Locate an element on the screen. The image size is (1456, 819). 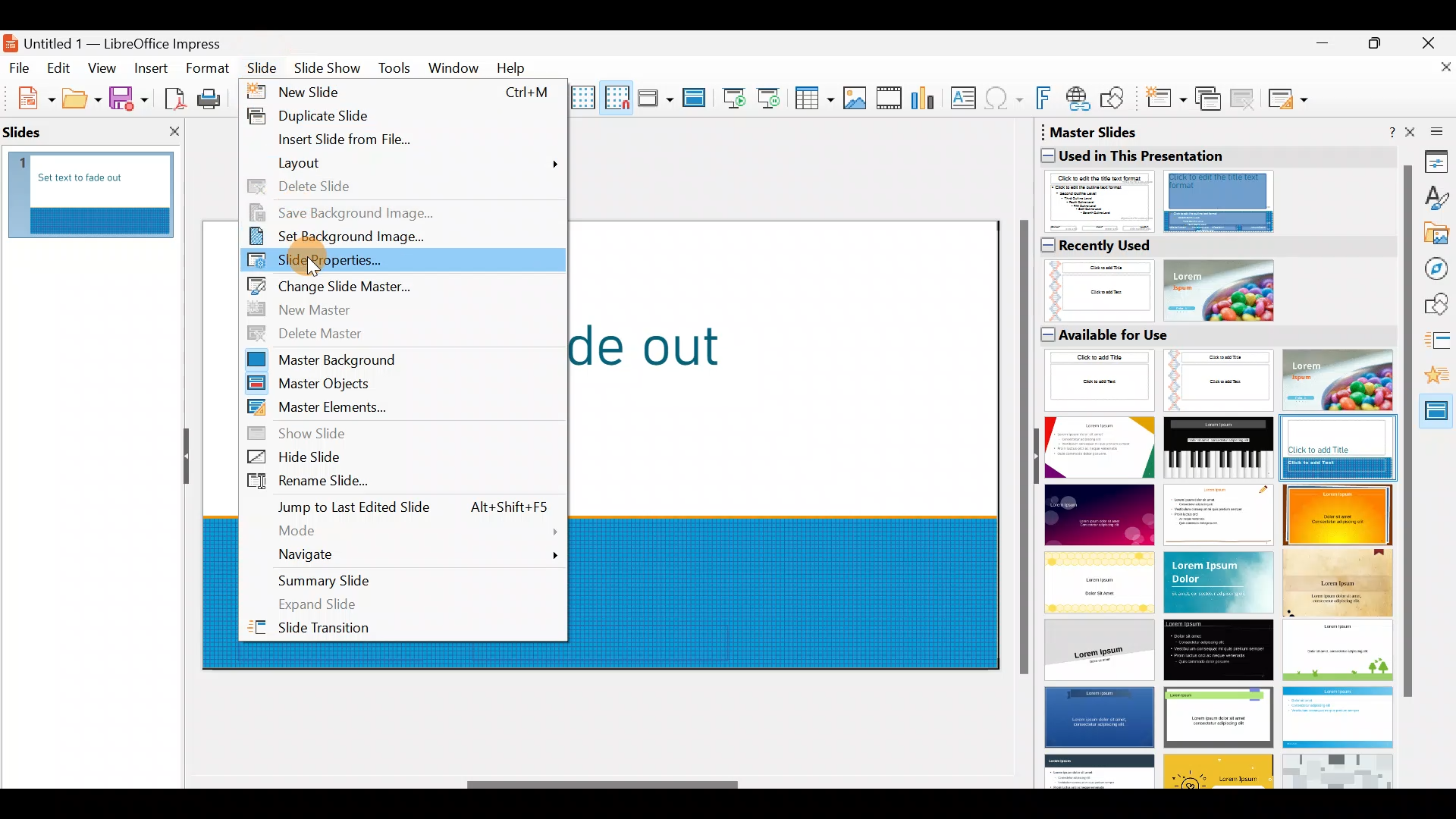
Insert hyperlink is located at coordinates (1079, 98).